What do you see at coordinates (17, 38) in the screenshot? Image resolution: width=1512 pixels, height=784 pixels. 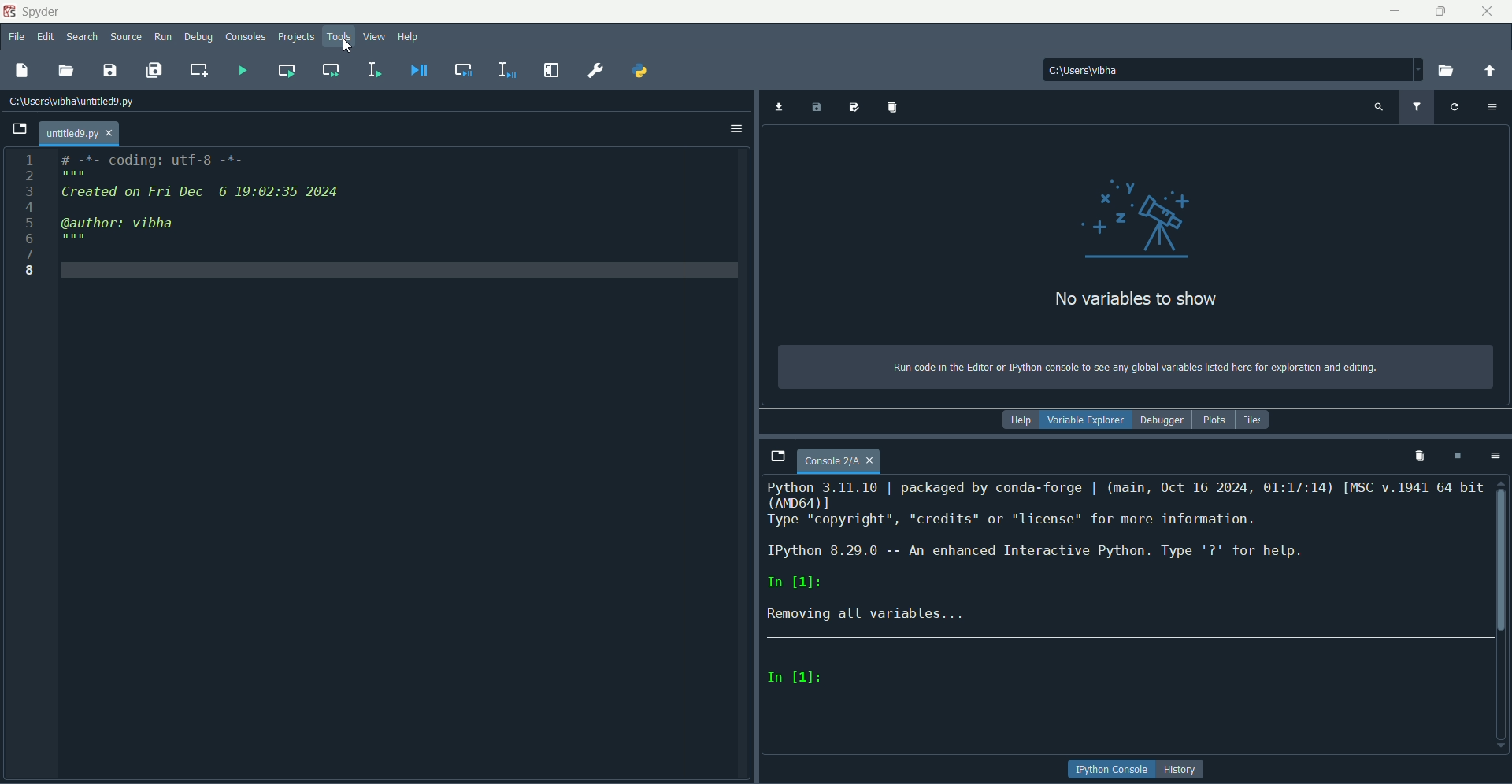 I see `file` at bounding box center [17, 38].